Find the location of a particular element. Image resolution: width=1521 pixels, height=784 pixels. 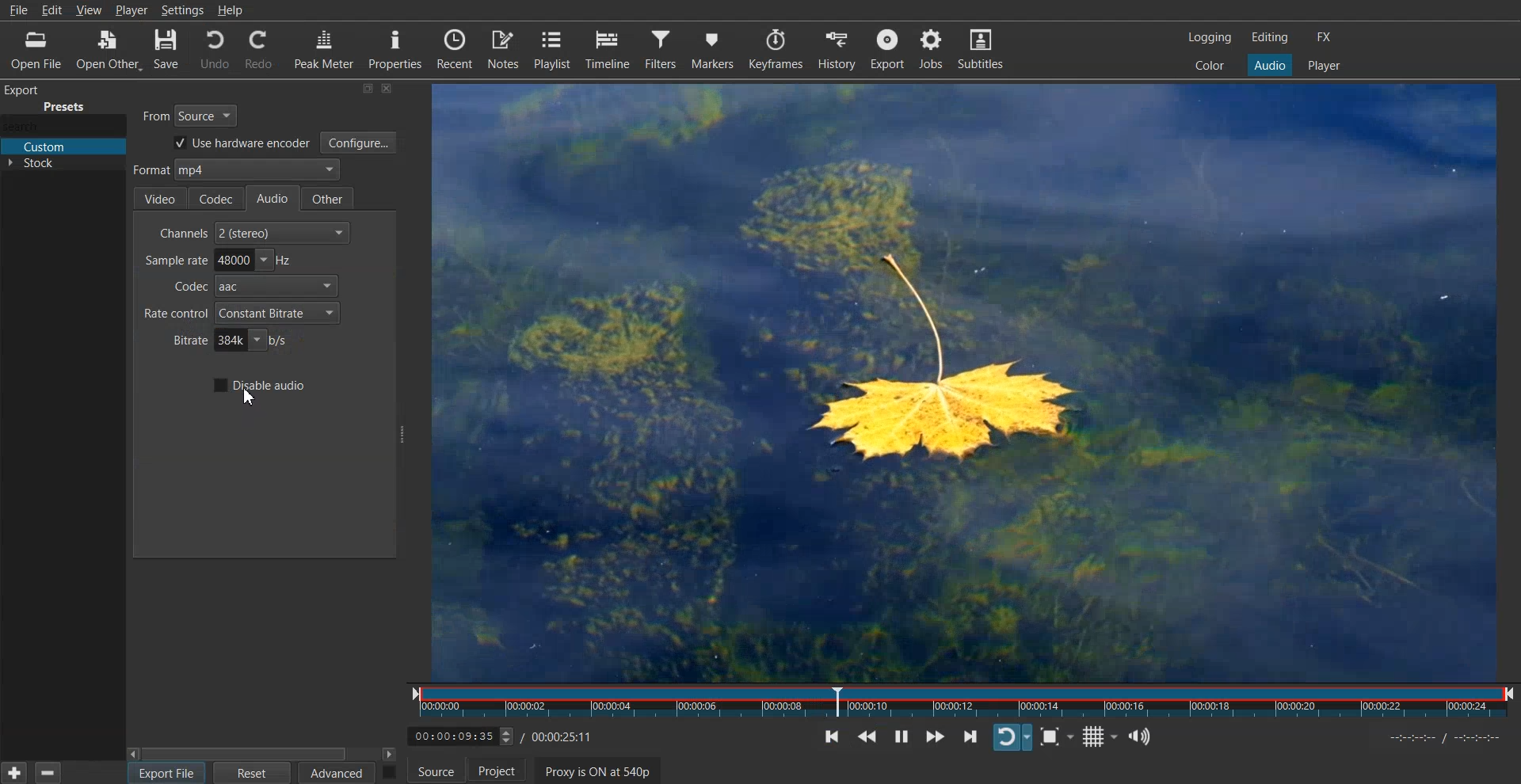

Undo is located at coordinates (214, 50).